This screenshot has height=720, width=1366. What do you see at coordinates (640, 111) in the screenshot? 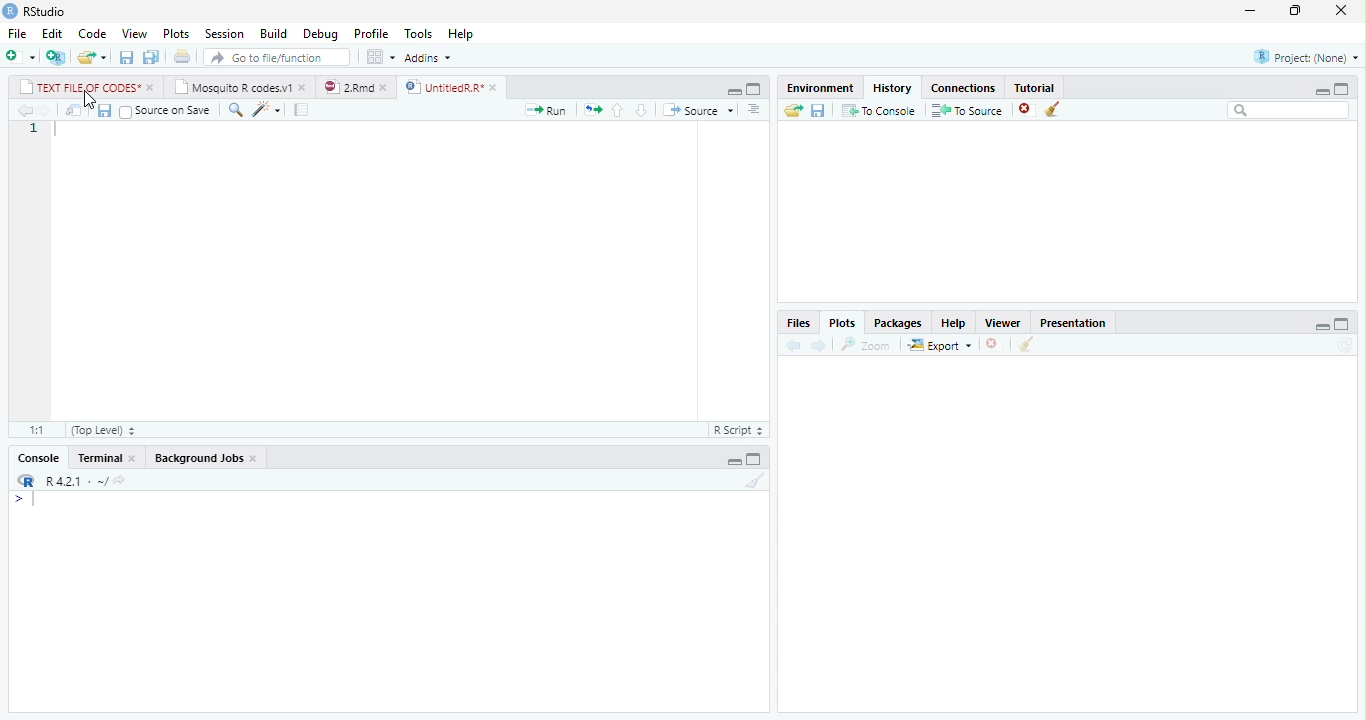
I see `down` at bounding box center [640, 111].